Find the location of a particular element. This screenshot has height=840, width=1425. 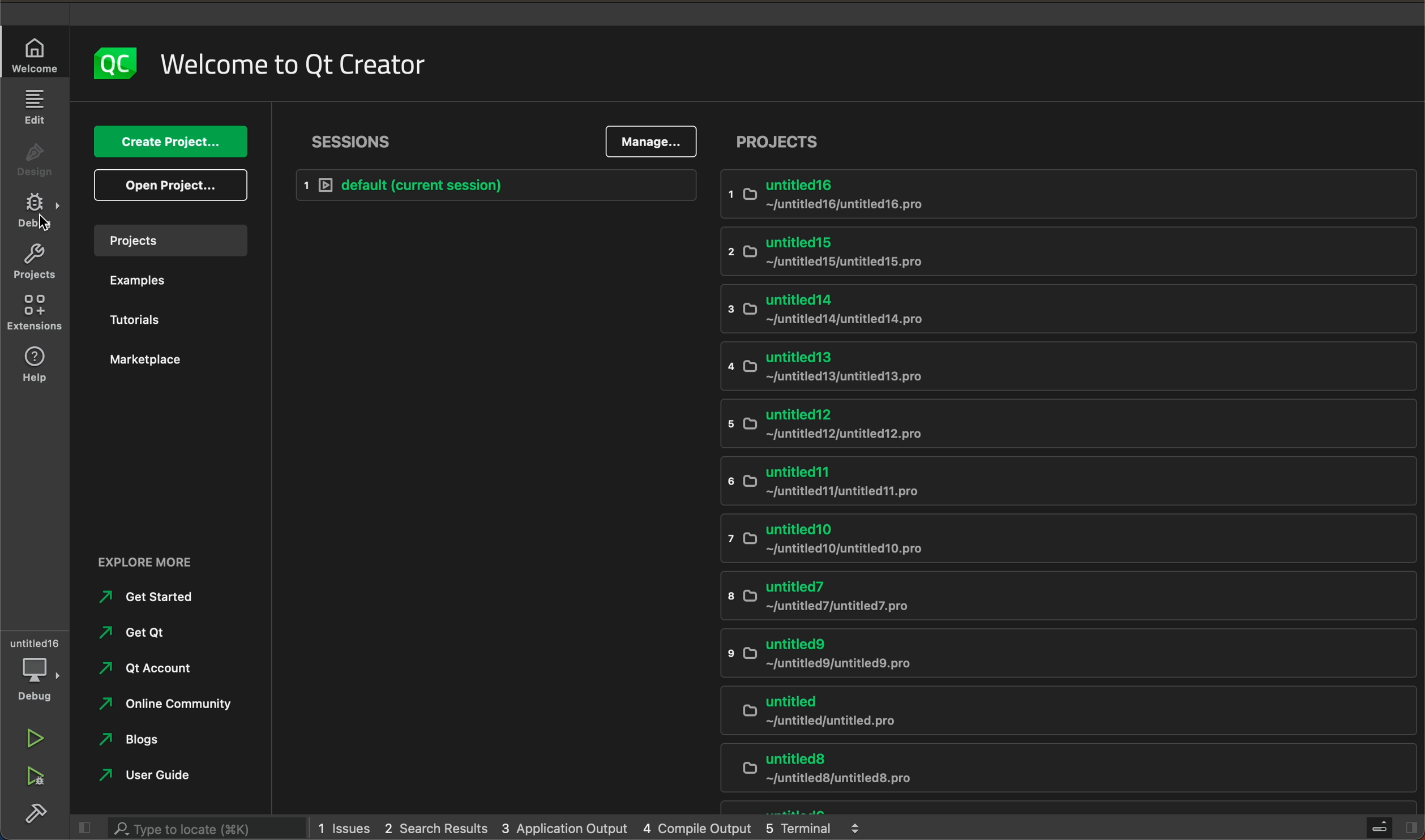

build is located at coordinates (40, 816).